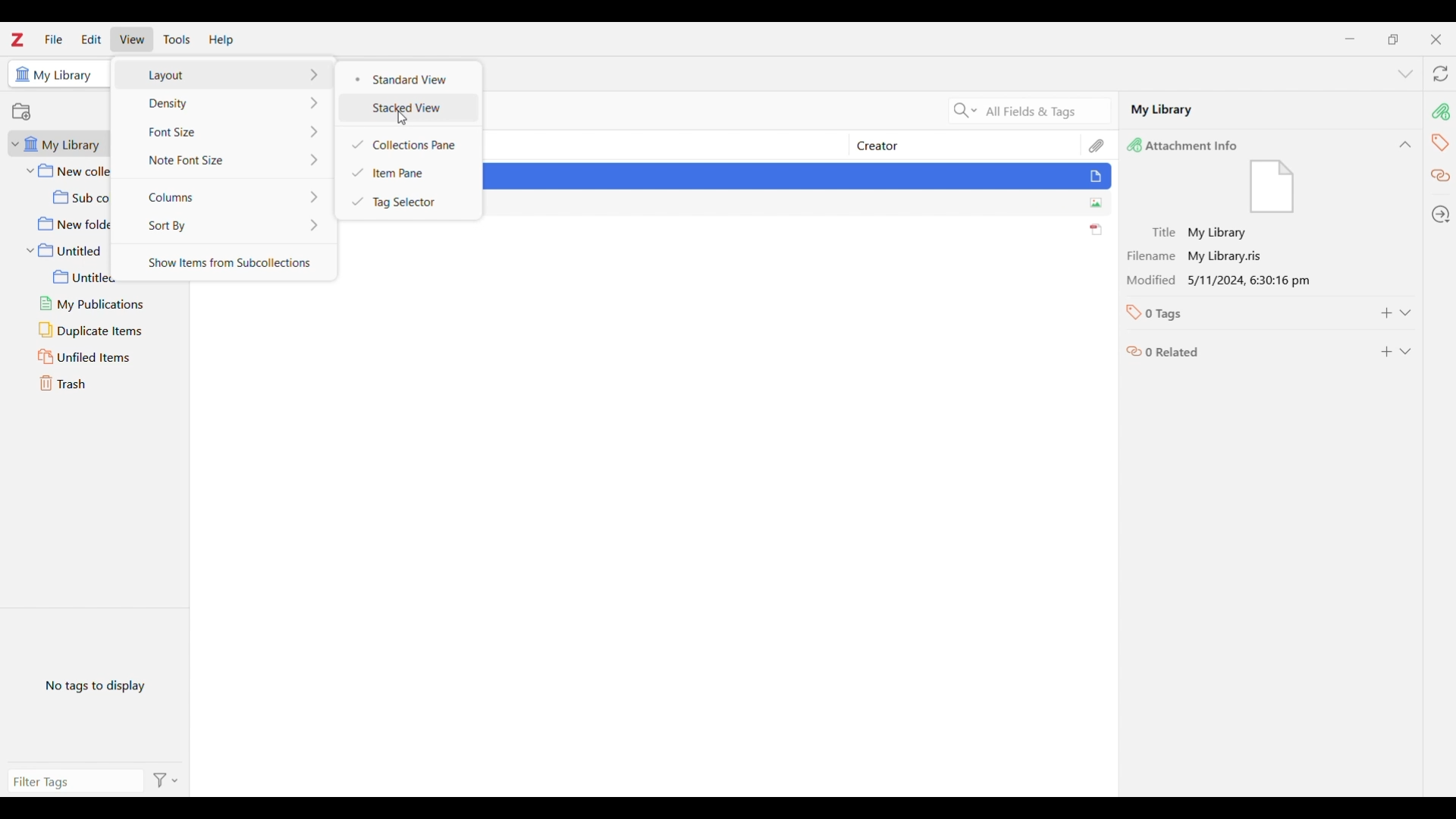 The height and width of the screenshot is (819, 1456). What do you see at coordinates (69, 783) in the screenshot?
I see `Type filter tags` at bounding box center [69, 783].